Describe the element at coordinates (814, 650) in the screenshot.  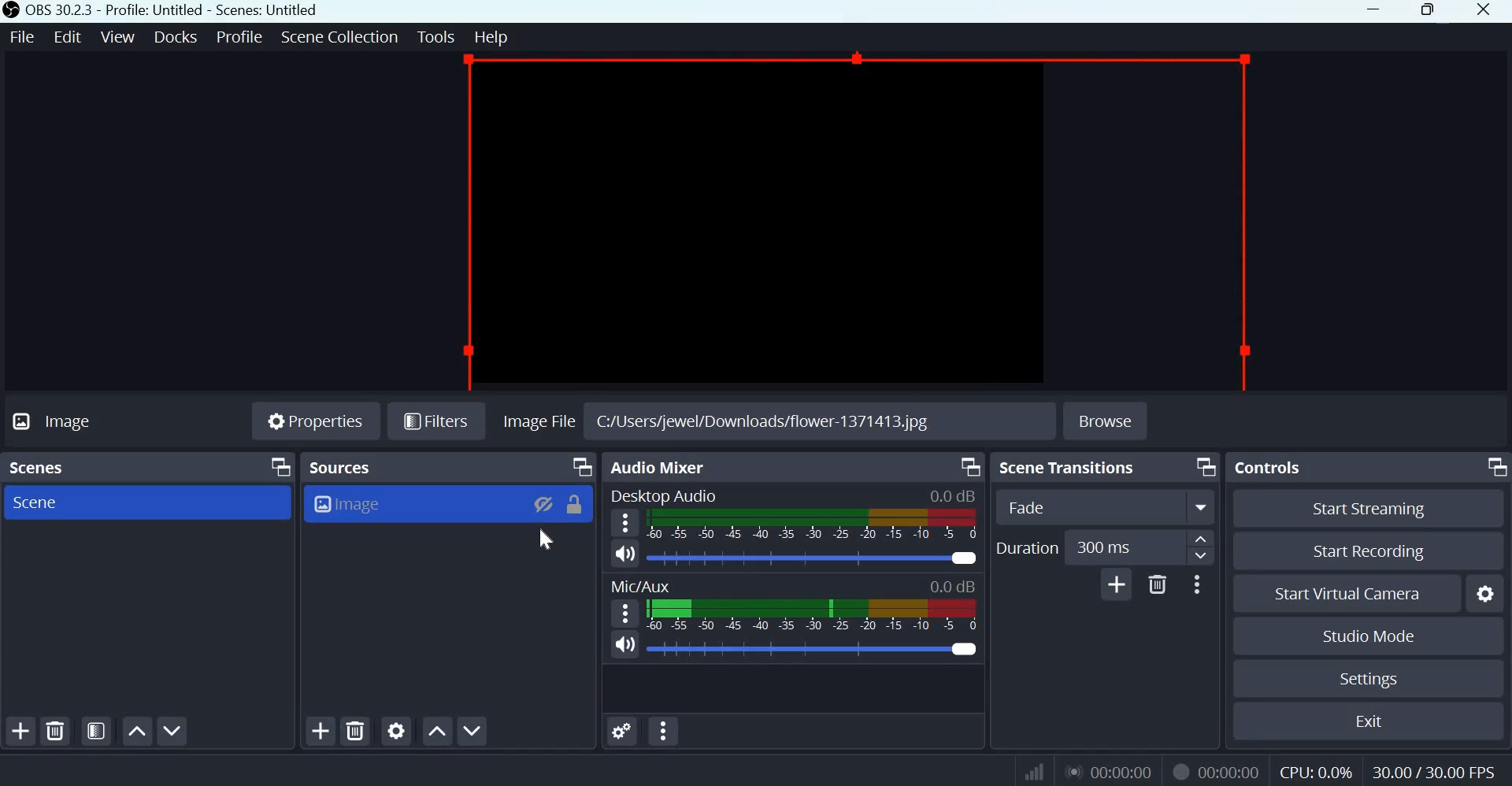
I see `Audio Slider` at that location.